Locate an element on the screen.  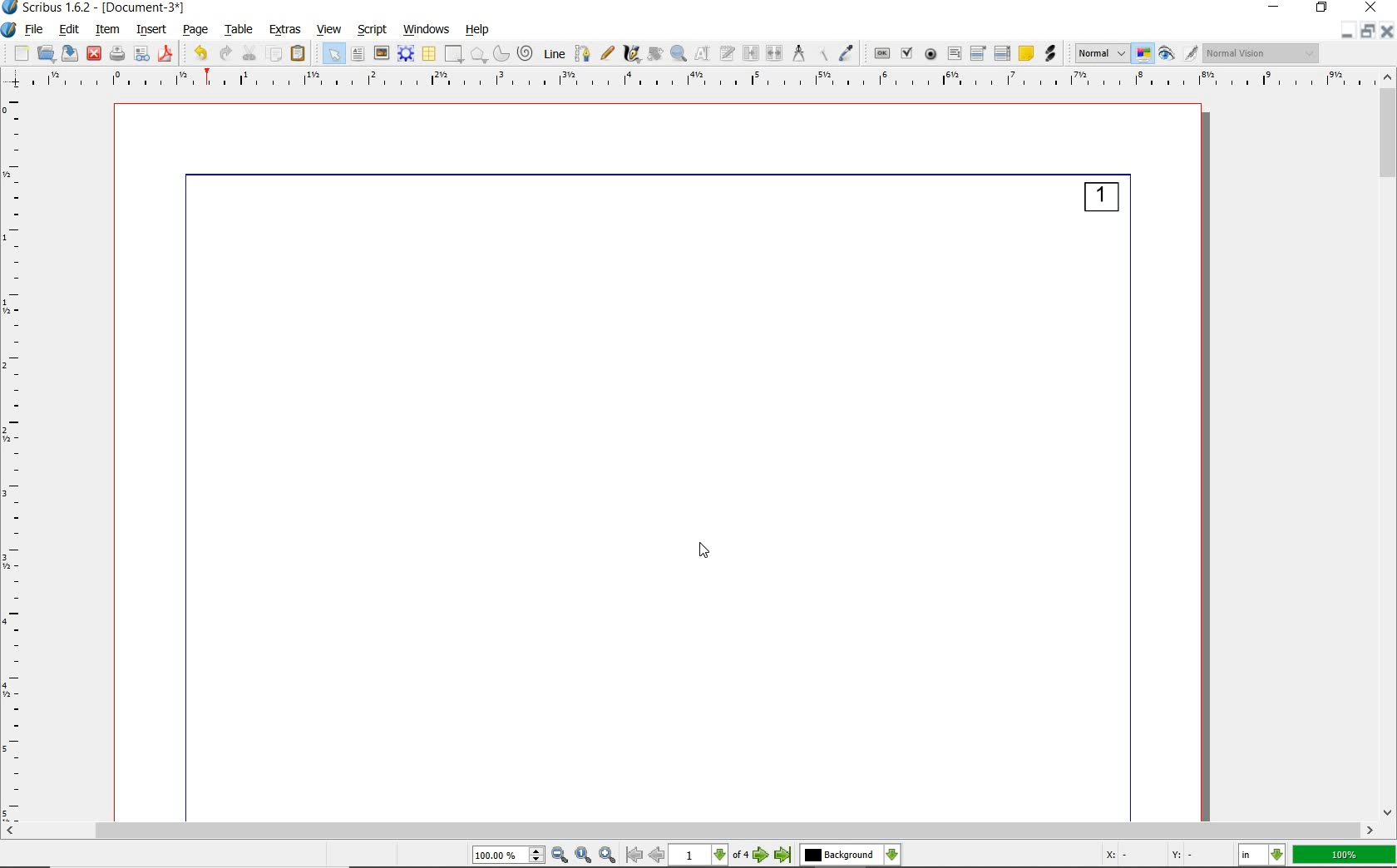
visual appearance of the display: Normal Vision is located at coordinates (1263, 53).